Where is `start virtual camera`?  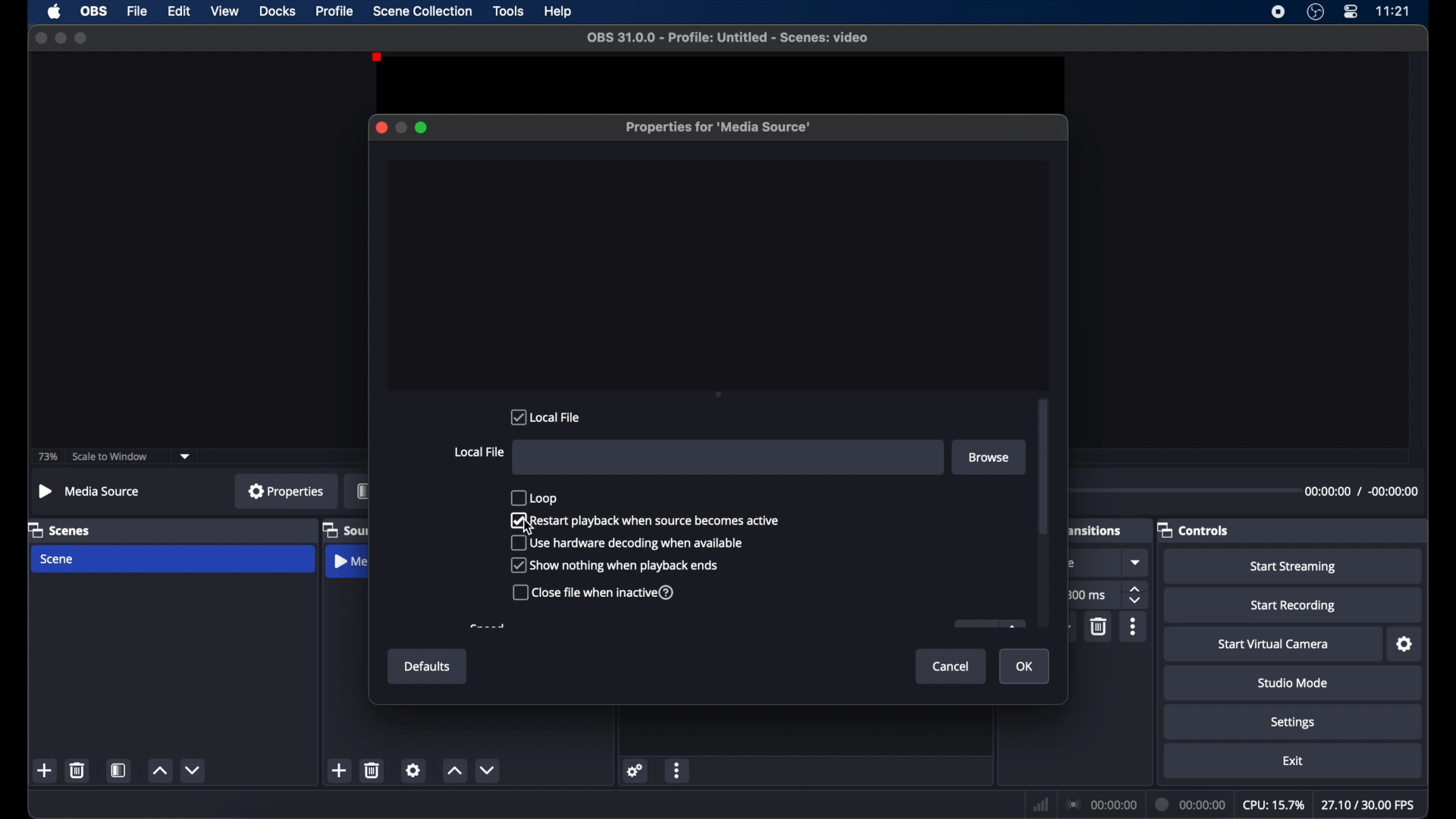
start virtual camera is located at coordinates (1275, 645).